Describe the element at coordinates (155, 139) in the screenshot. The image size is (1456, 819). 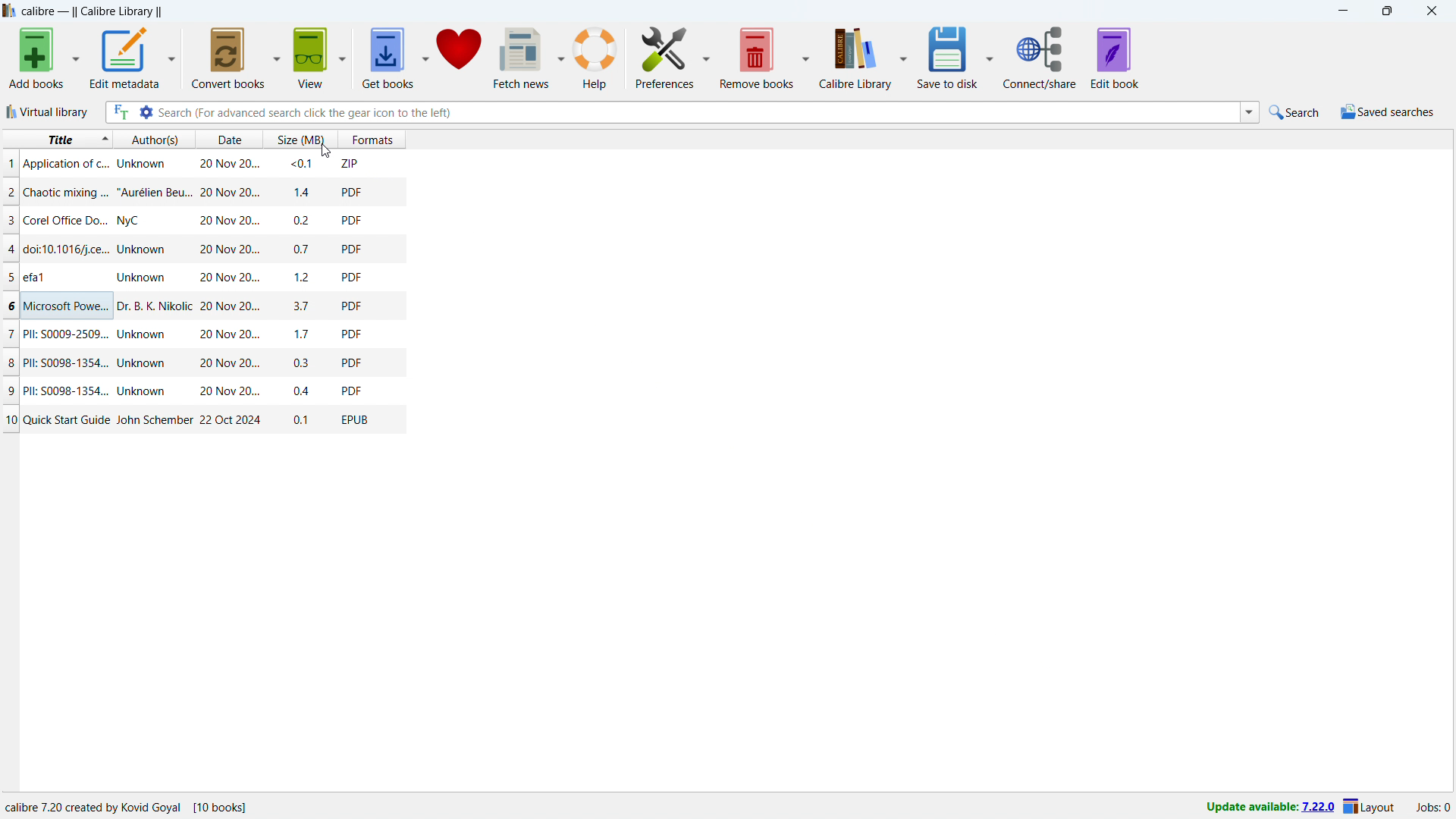
I see `authors` at that location.